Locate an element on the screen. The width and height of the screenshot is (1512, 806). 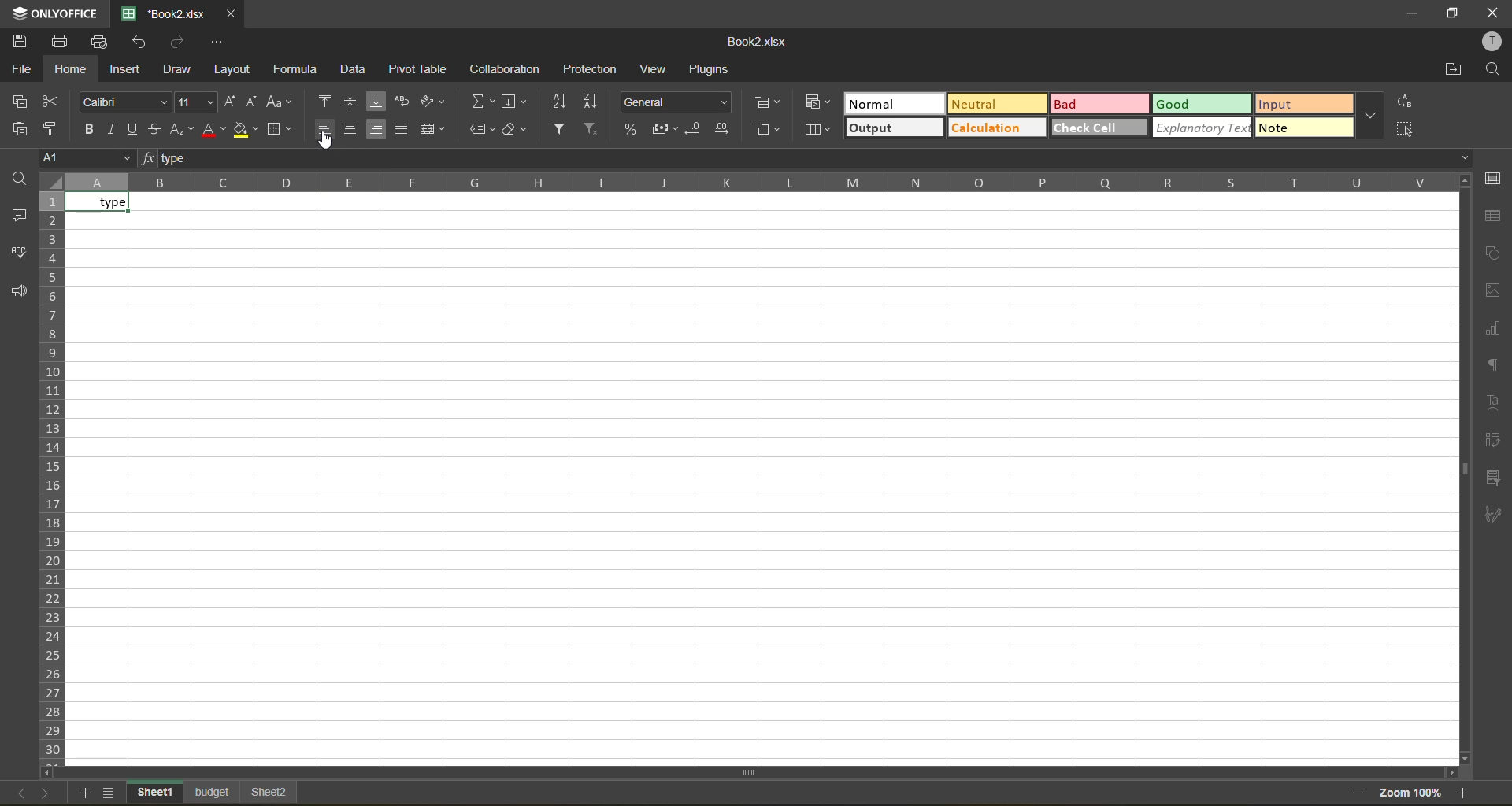
increment size is located at coordinates (232, 101).